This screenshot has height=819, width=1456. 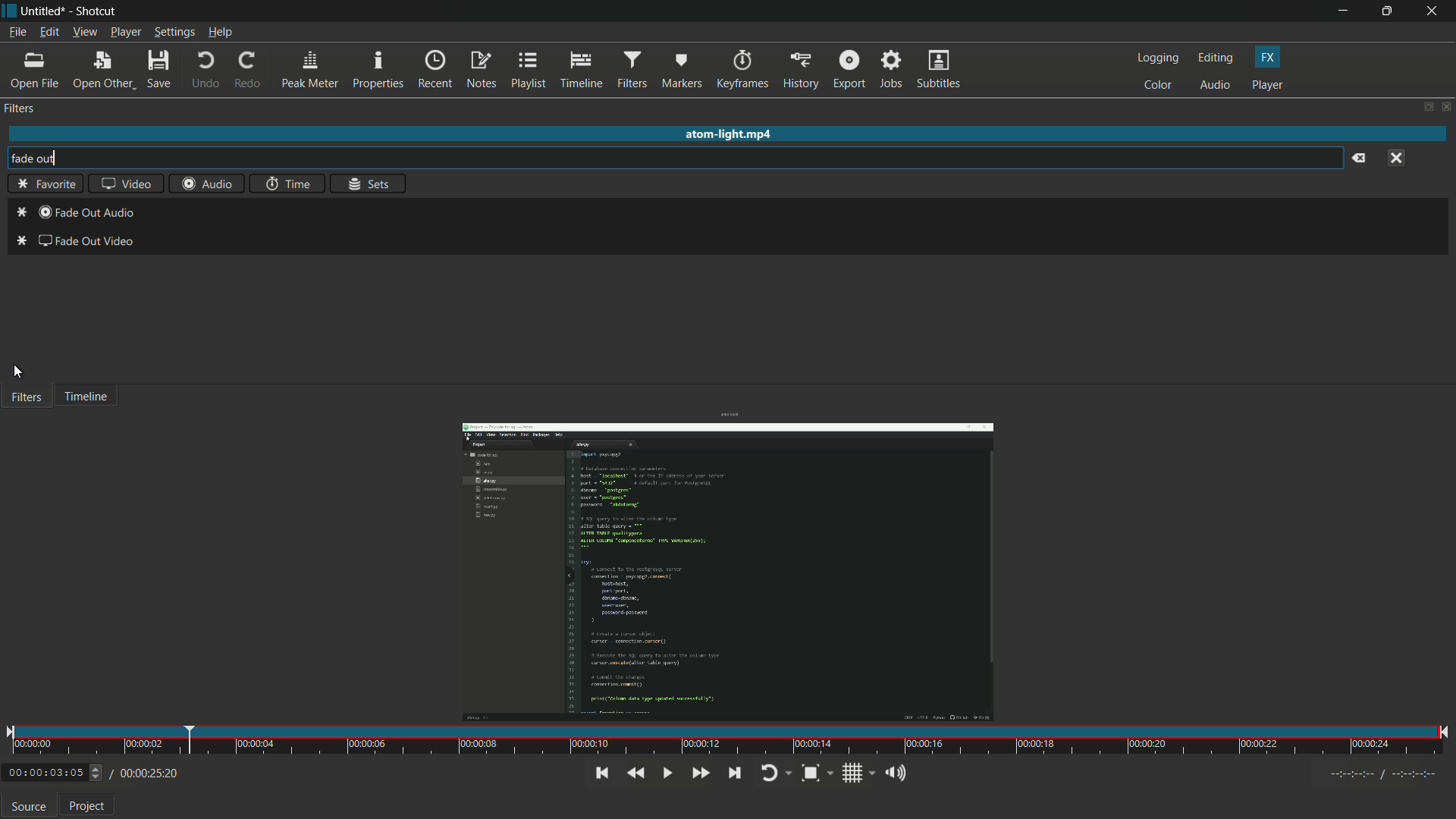 I want to click on current time, so click(x=44, y=773).